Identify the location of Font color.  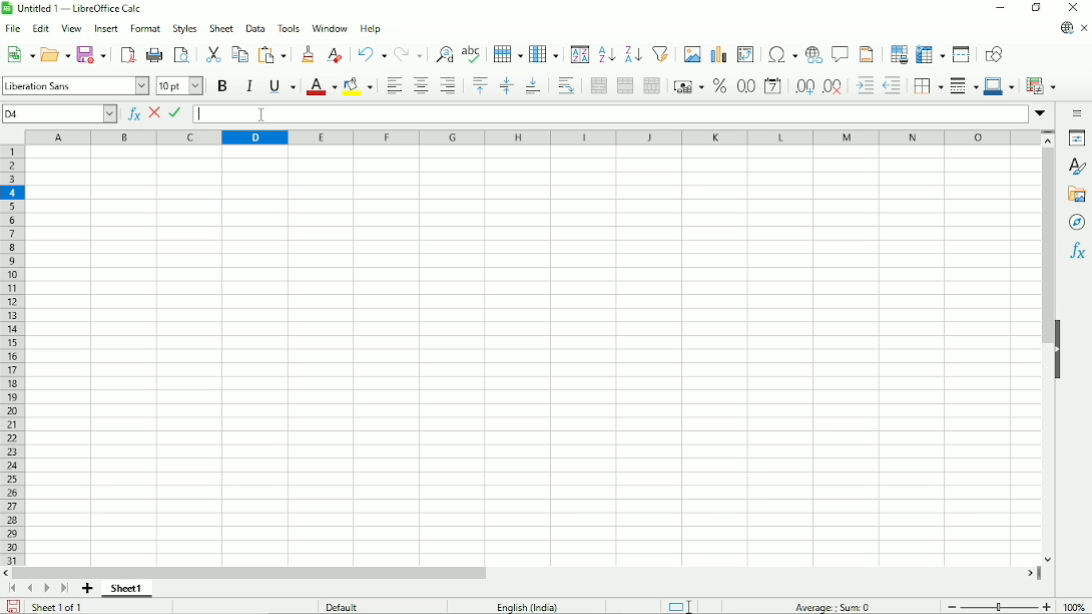
(180, 85).